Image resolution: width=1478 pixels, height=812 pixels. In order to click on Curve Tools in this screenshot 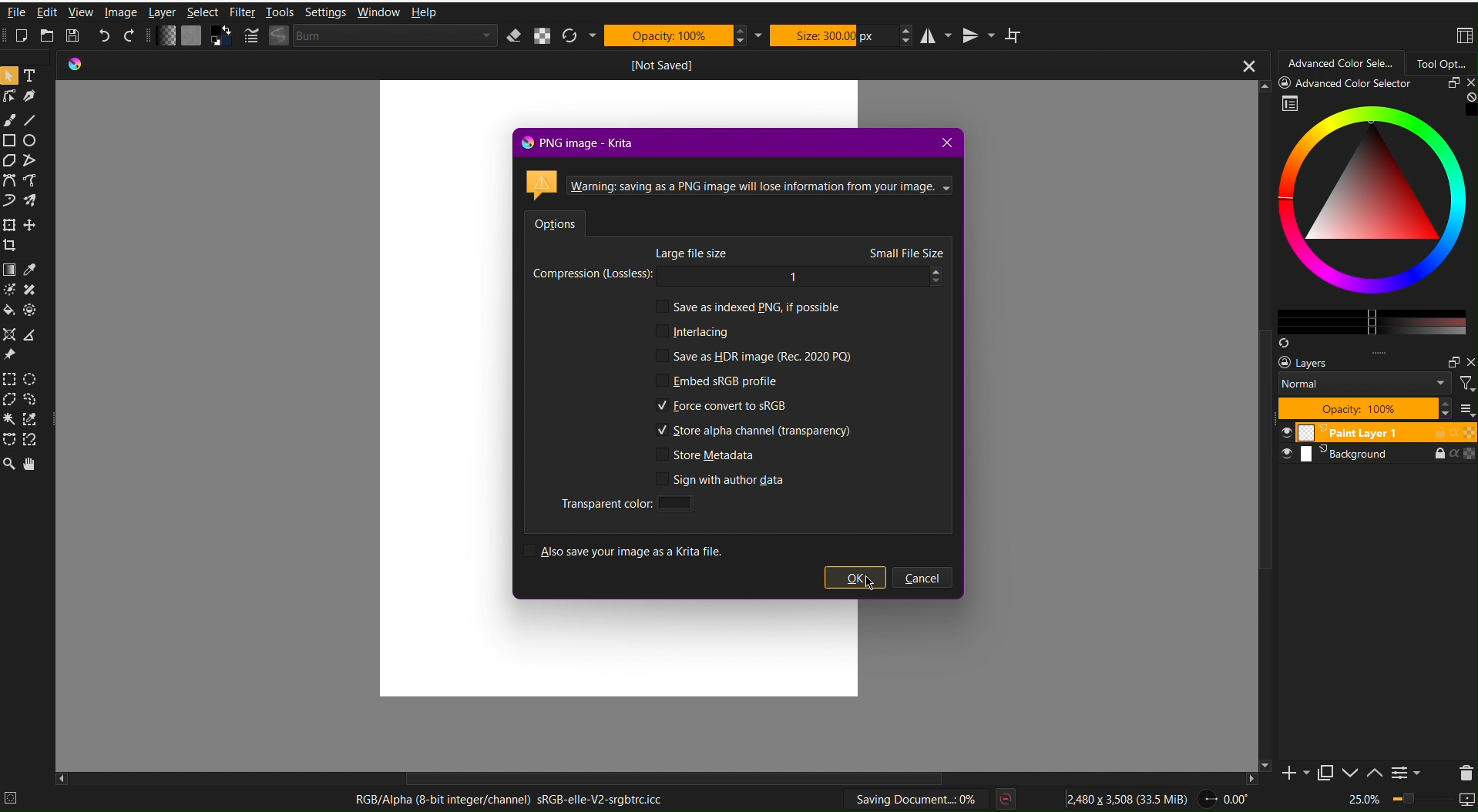, I will do `click(24, 187)`.